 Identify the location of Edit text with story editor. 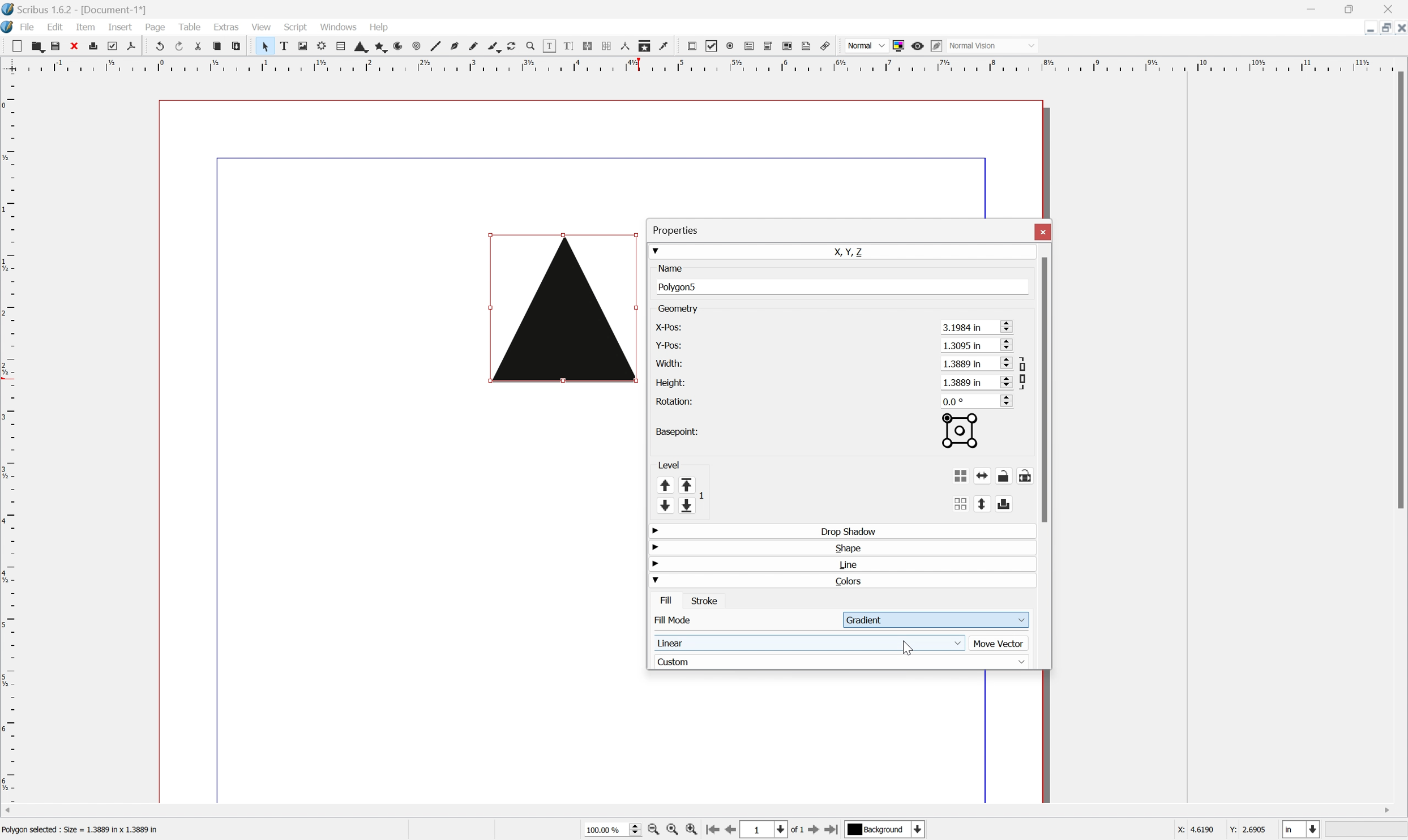
(564, 47).